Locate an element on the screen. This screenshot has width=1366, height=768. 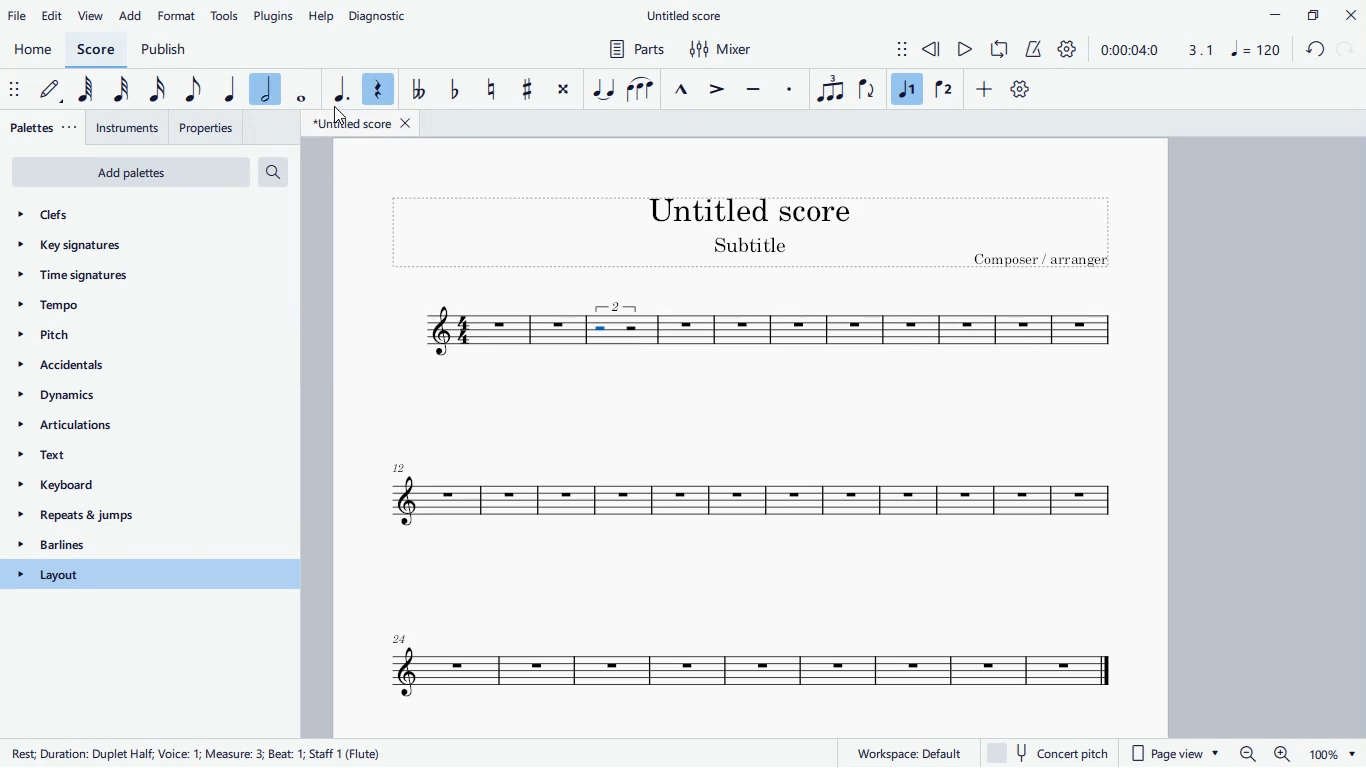
toggle double flat is located at coordinates (417, 91).